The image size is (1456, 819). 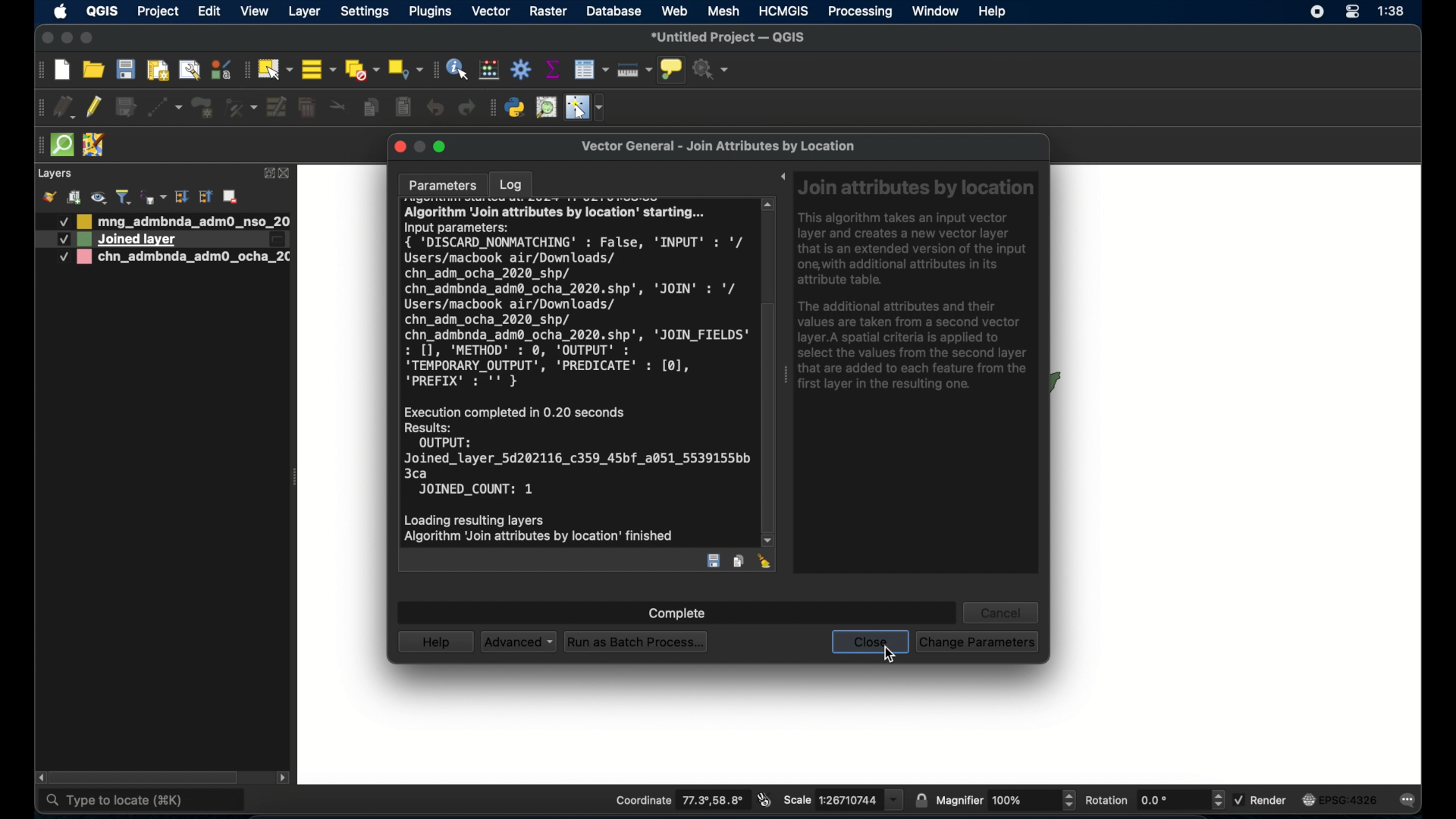 I want to click on log tab selected, so click(x=510, y=182).